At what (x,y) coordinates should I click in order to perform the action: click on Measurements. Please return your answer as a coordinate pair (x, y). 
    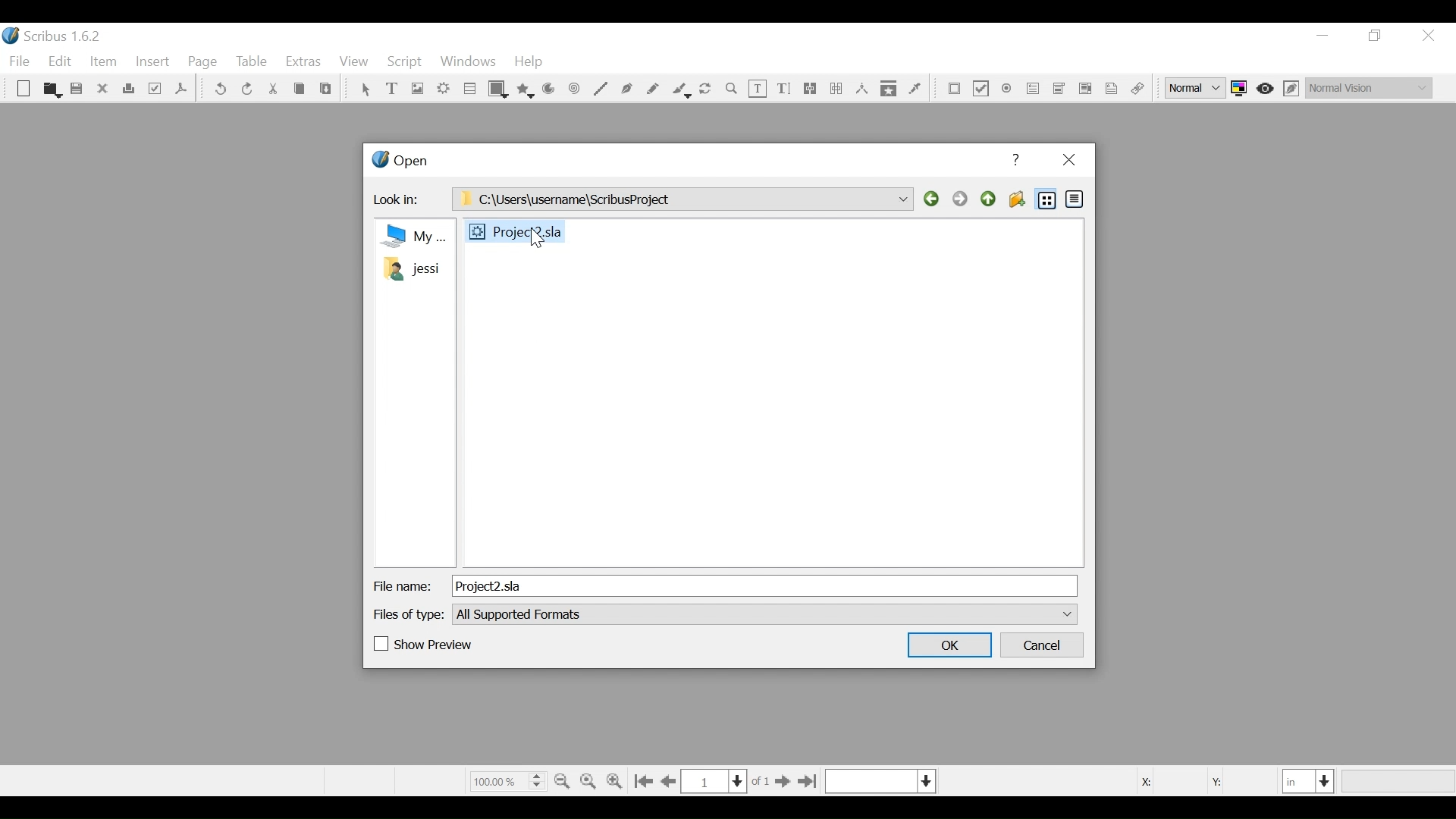
    Looking at the image, I should click on (861, 89).